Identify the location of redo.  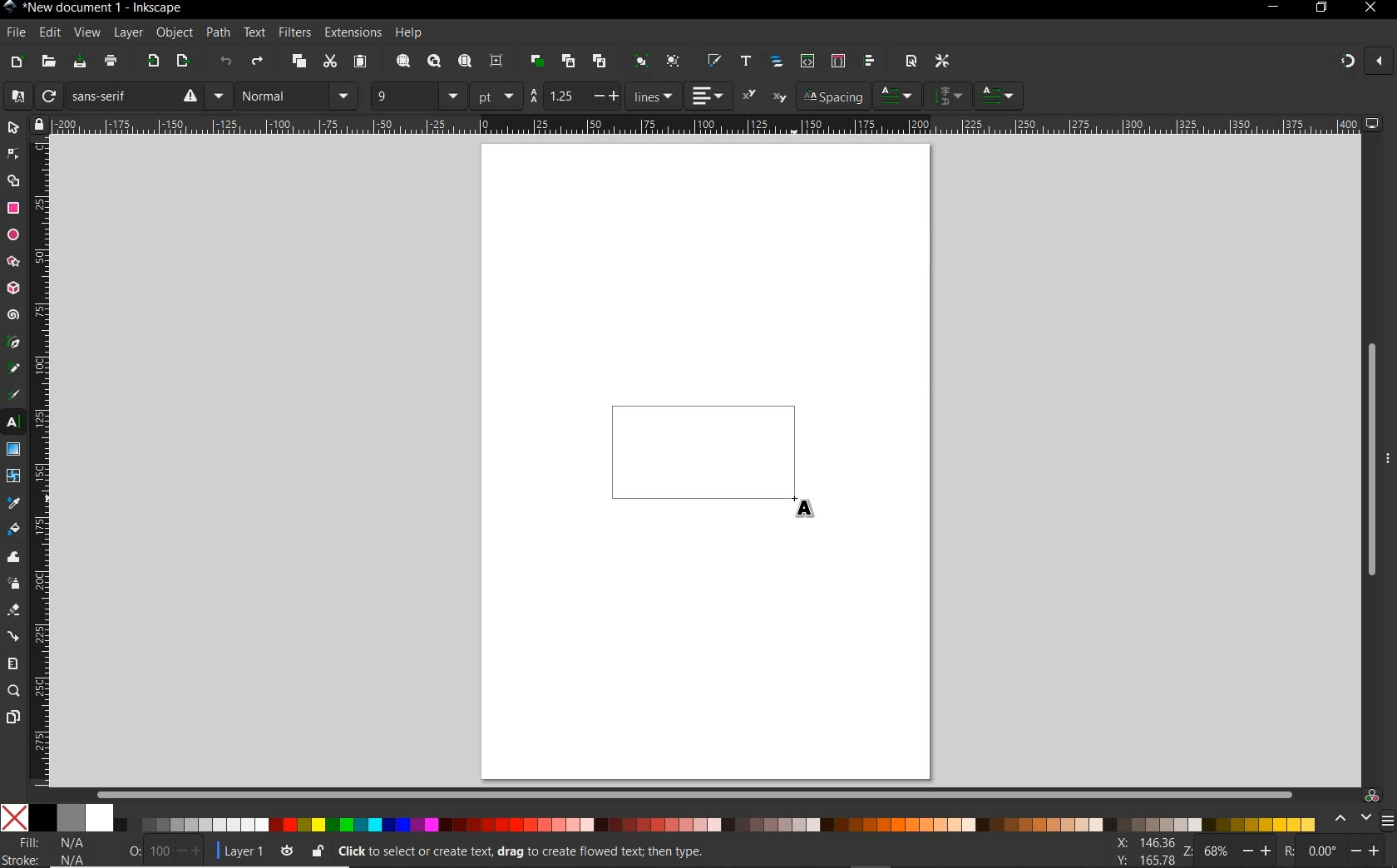
(257, 63).